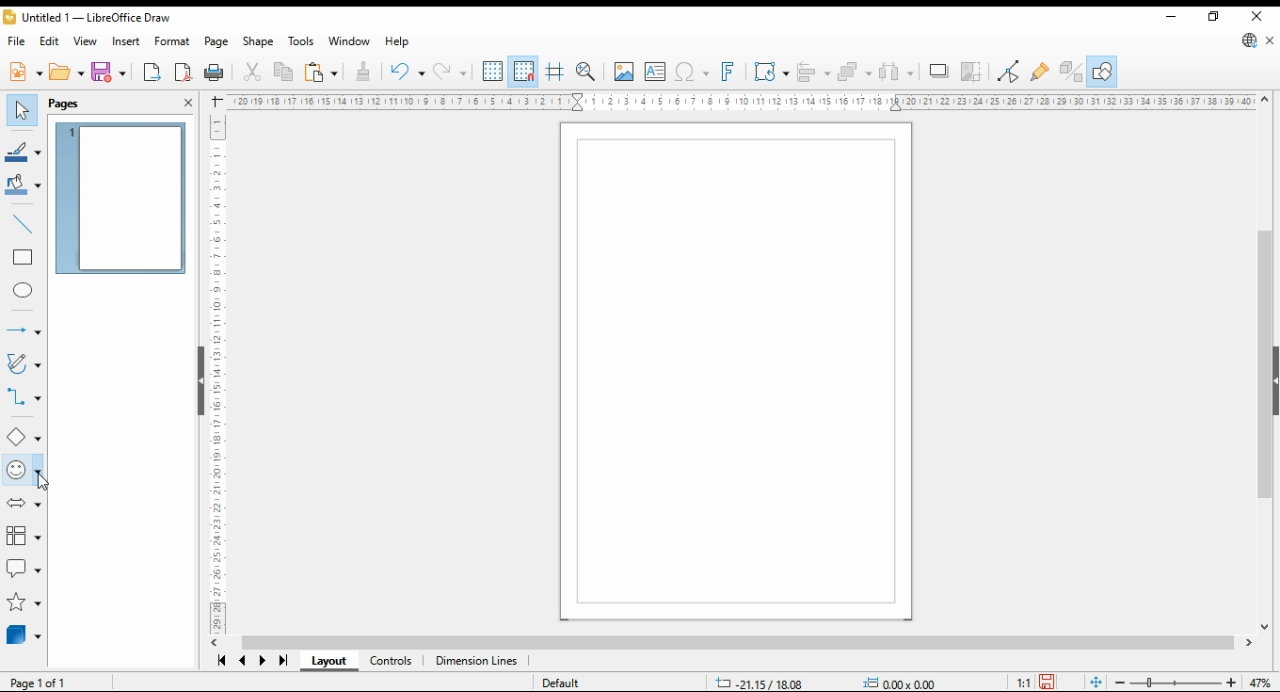 This screenshot has height=692, width=1280. What do you see at coordinates (86, 41) in the screenshot?
I see `view` at bounding box center [86, 41].